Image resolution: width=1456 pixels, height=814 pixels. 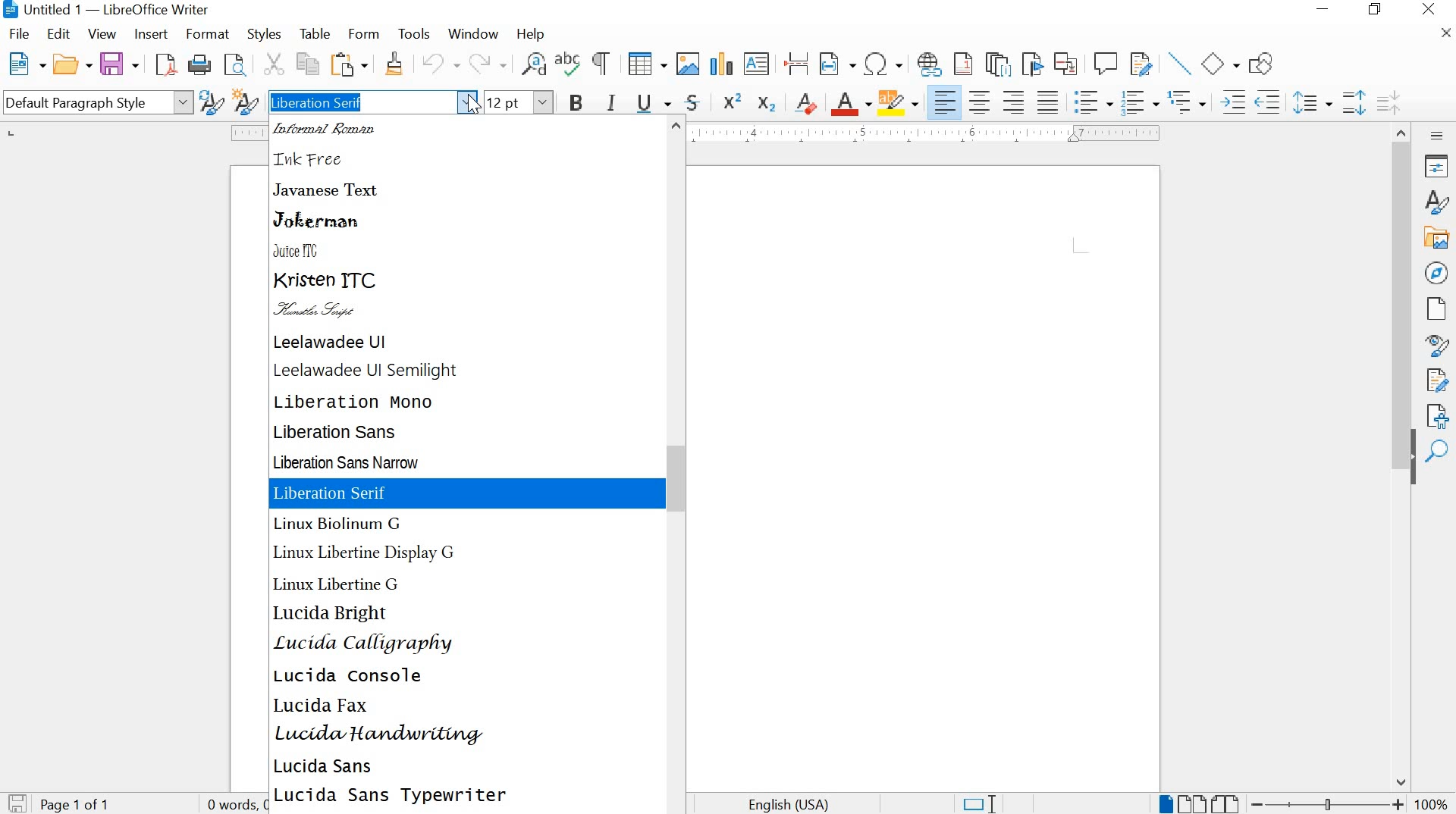 I want to click on KRISTEN ITC, so click(x=328, y=280).